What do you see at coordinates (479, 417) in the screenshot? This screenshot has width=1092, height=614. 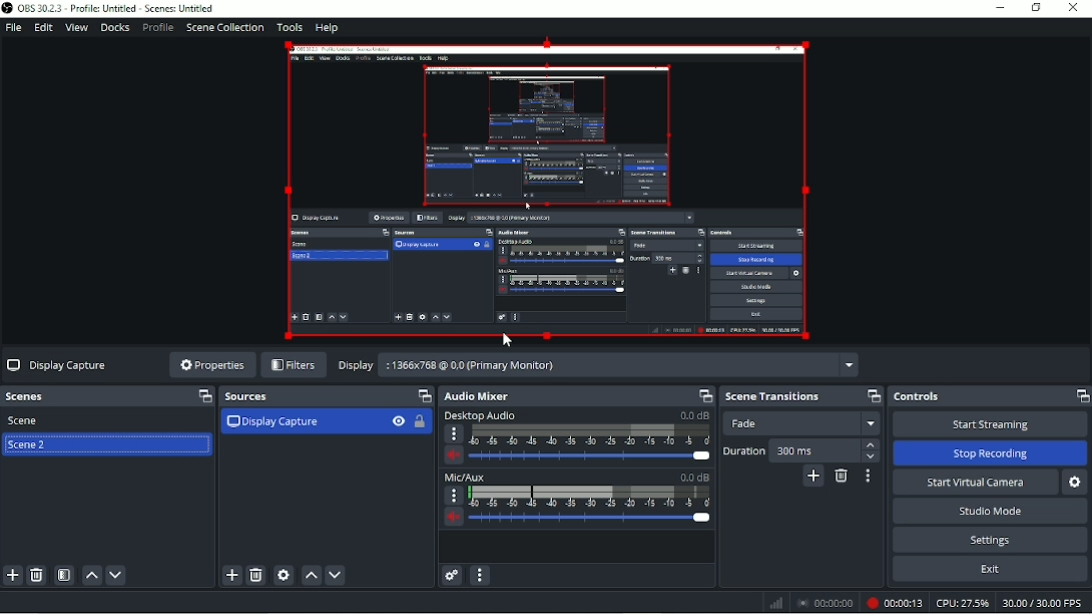 I see `Desktop Audio` at bounding box center [479, 417].